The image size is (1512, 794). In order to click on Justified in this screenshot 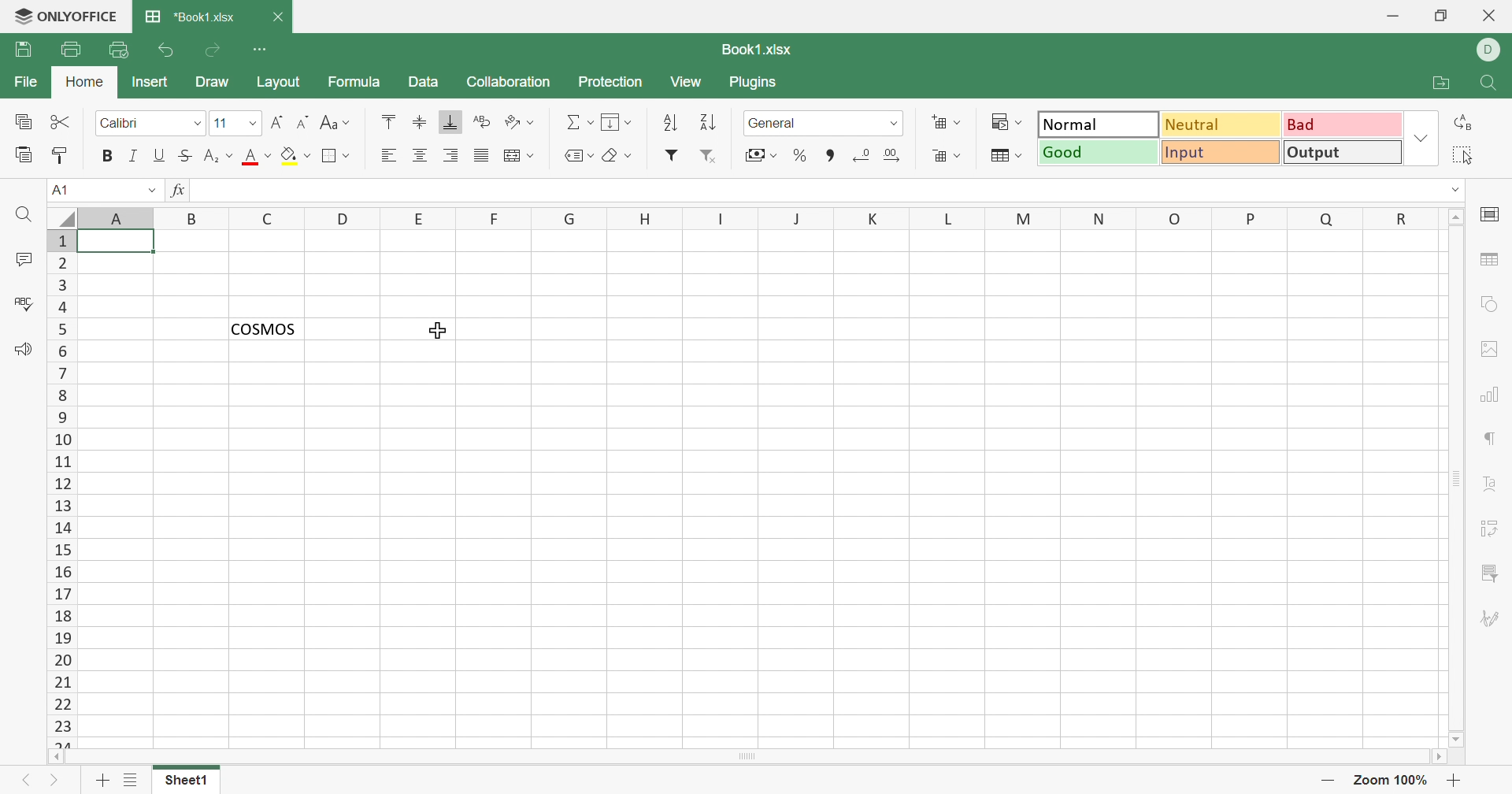, I will do `click(481, 157)`.